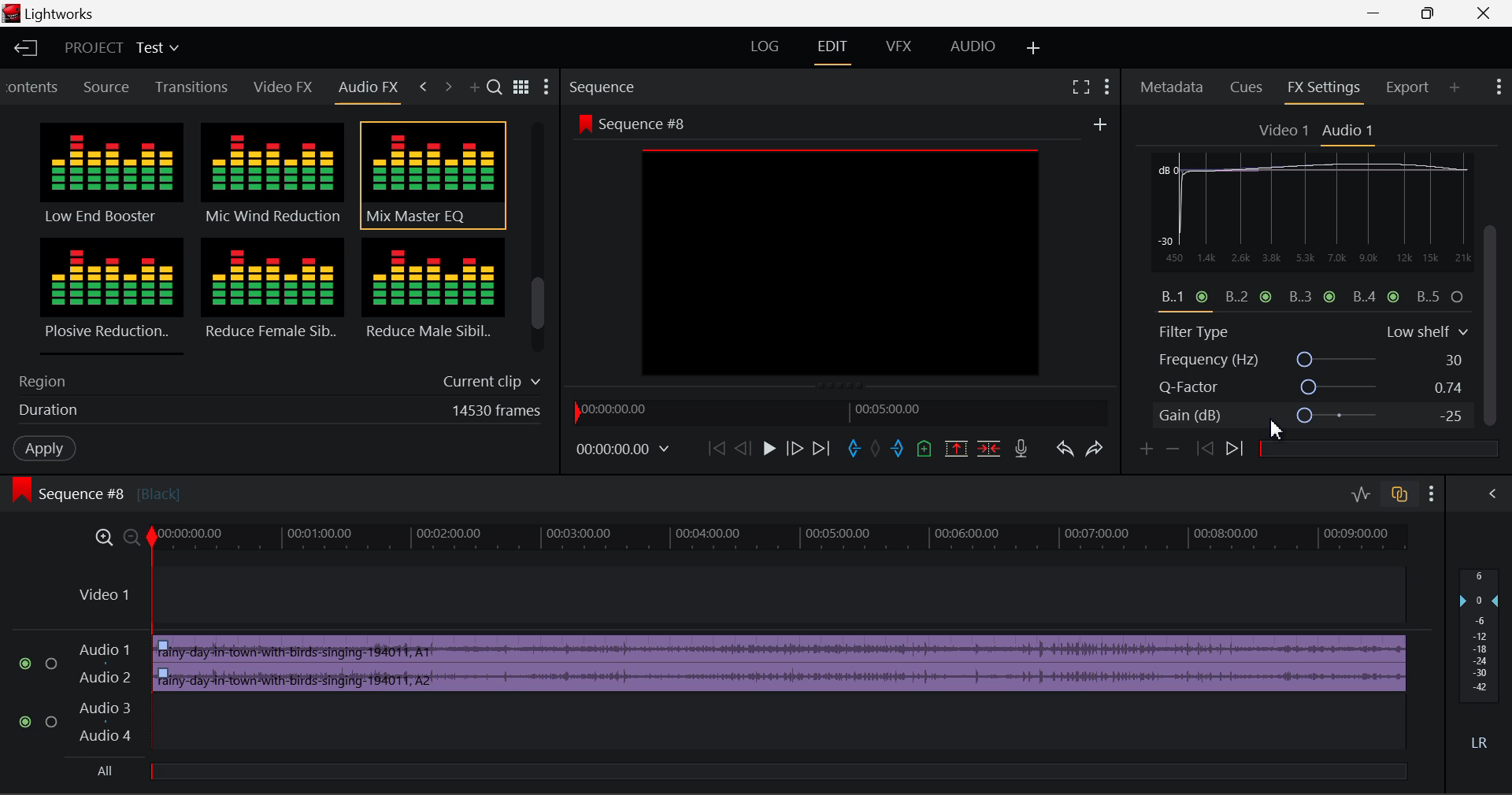 The image size is (1512, 795). What do you see at coordinates (1177, 449) in the screenshot?
I see `remove keyframe` at bounding box center [1177, 449].